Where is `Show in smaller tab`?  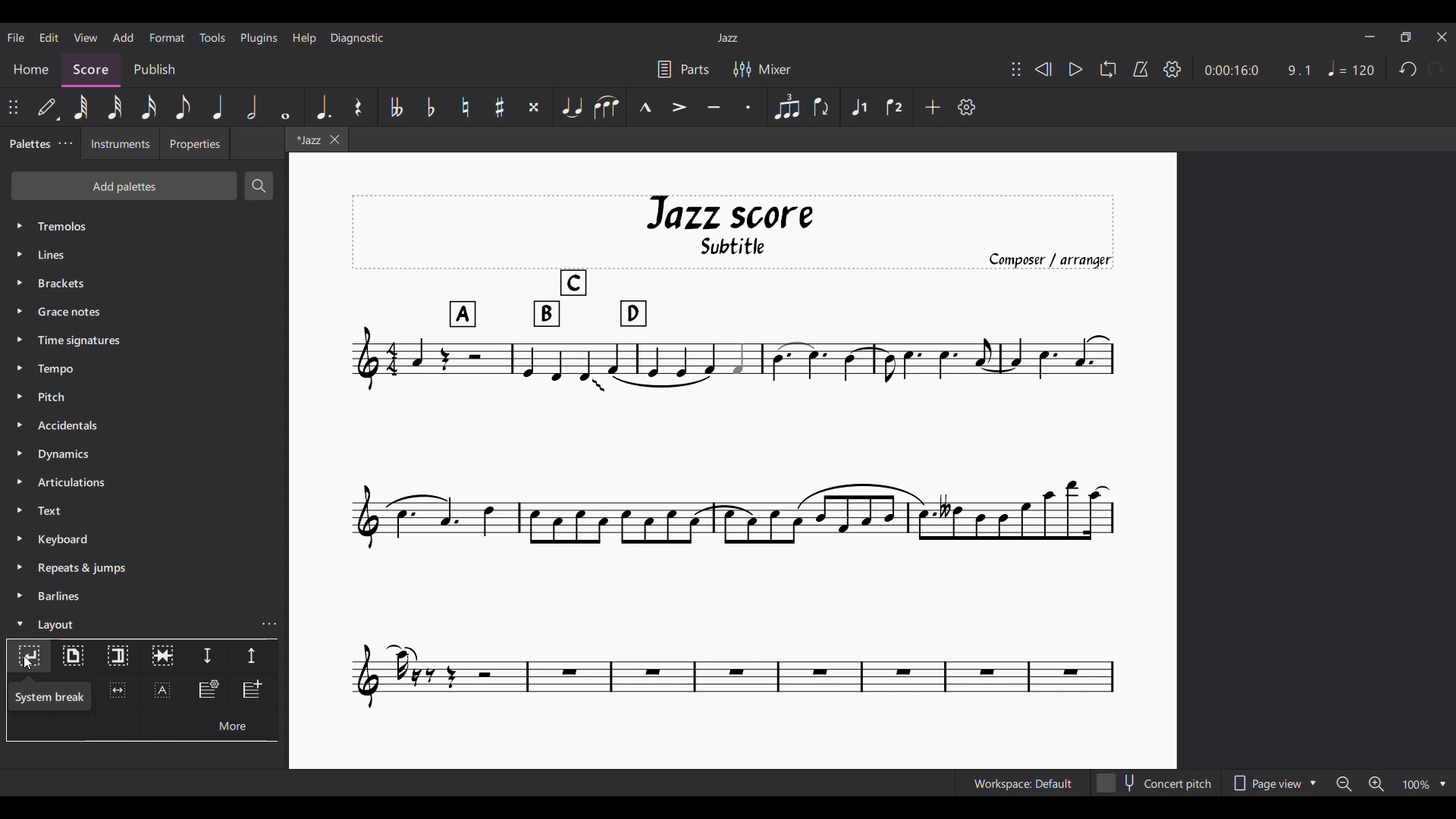 Show in smaller tab is located at coordinates (1406, 37).